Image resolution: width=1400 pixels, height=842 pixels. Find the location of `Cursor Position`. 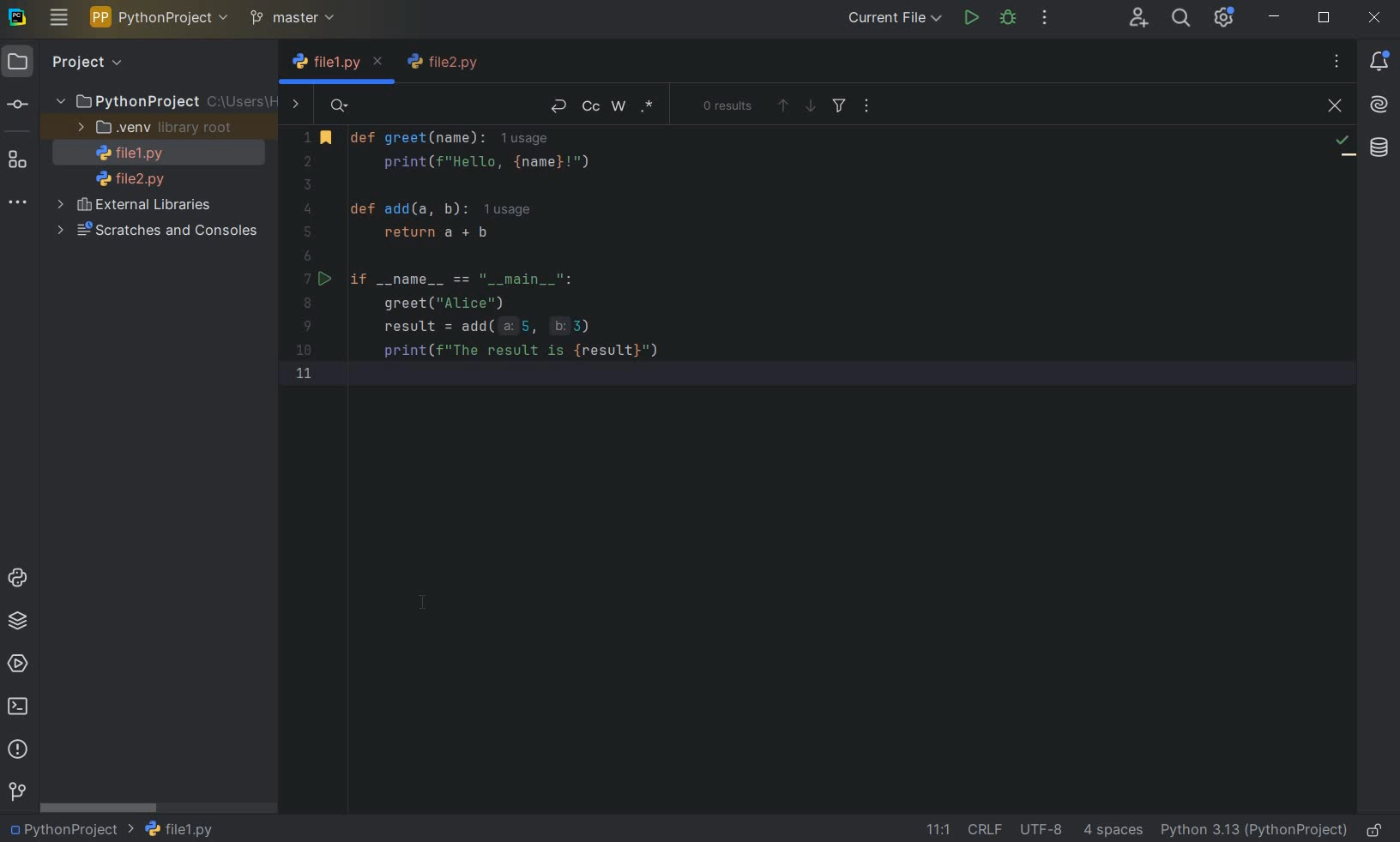

Cursor Position is located at coordinates (424, 601).